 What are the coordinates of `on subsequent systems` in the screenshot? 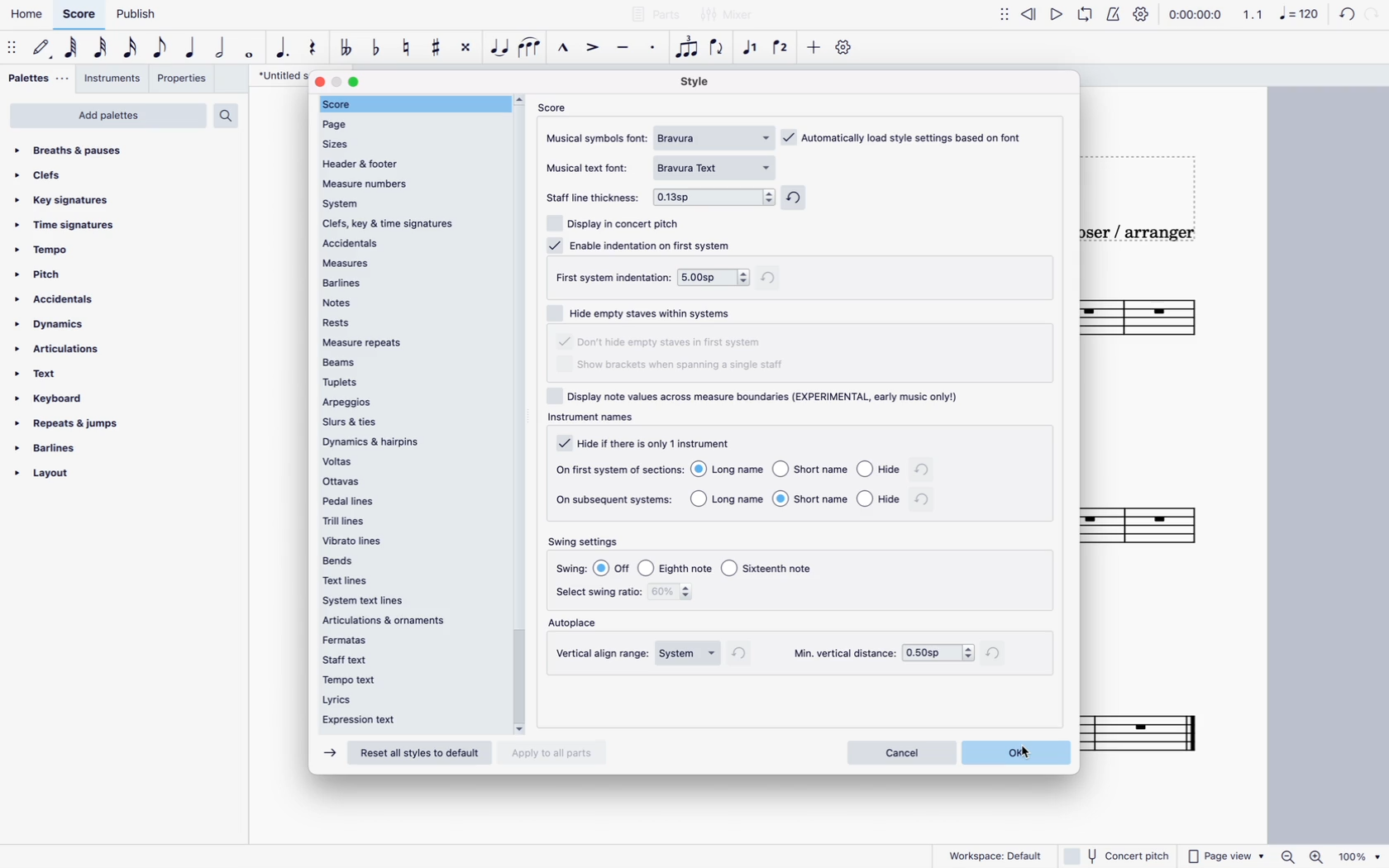 It's located at (616, 499).